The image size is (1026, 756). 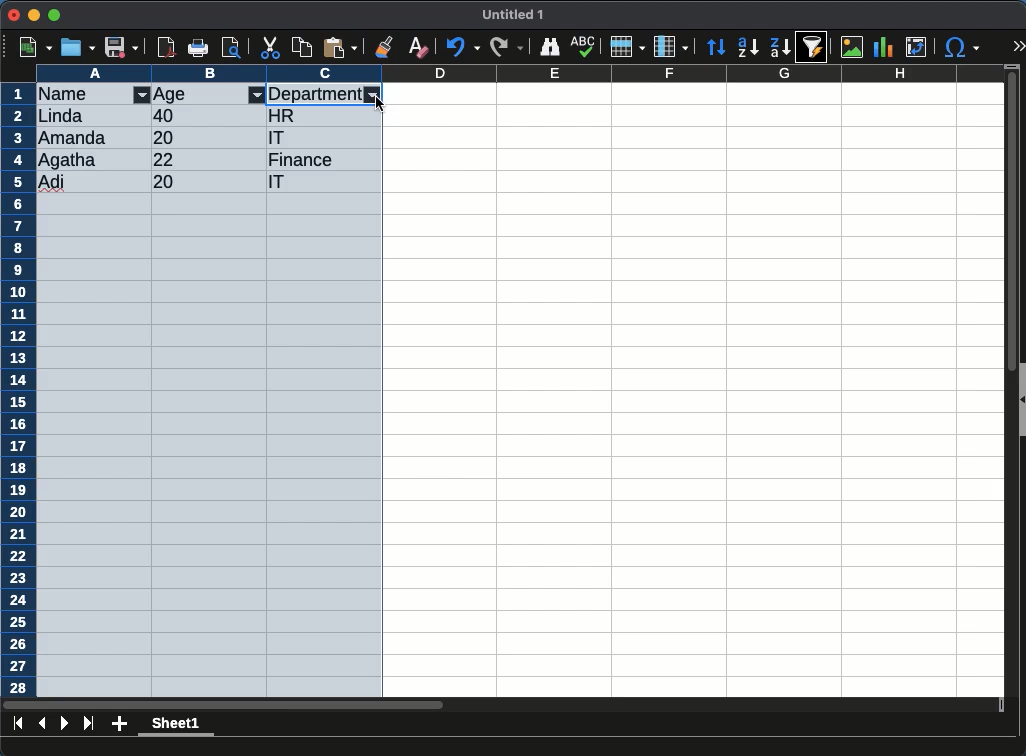 What do you see at coordinates (142, 96) in the screenshot?
I see `filter` at bounding box center [142, 96].